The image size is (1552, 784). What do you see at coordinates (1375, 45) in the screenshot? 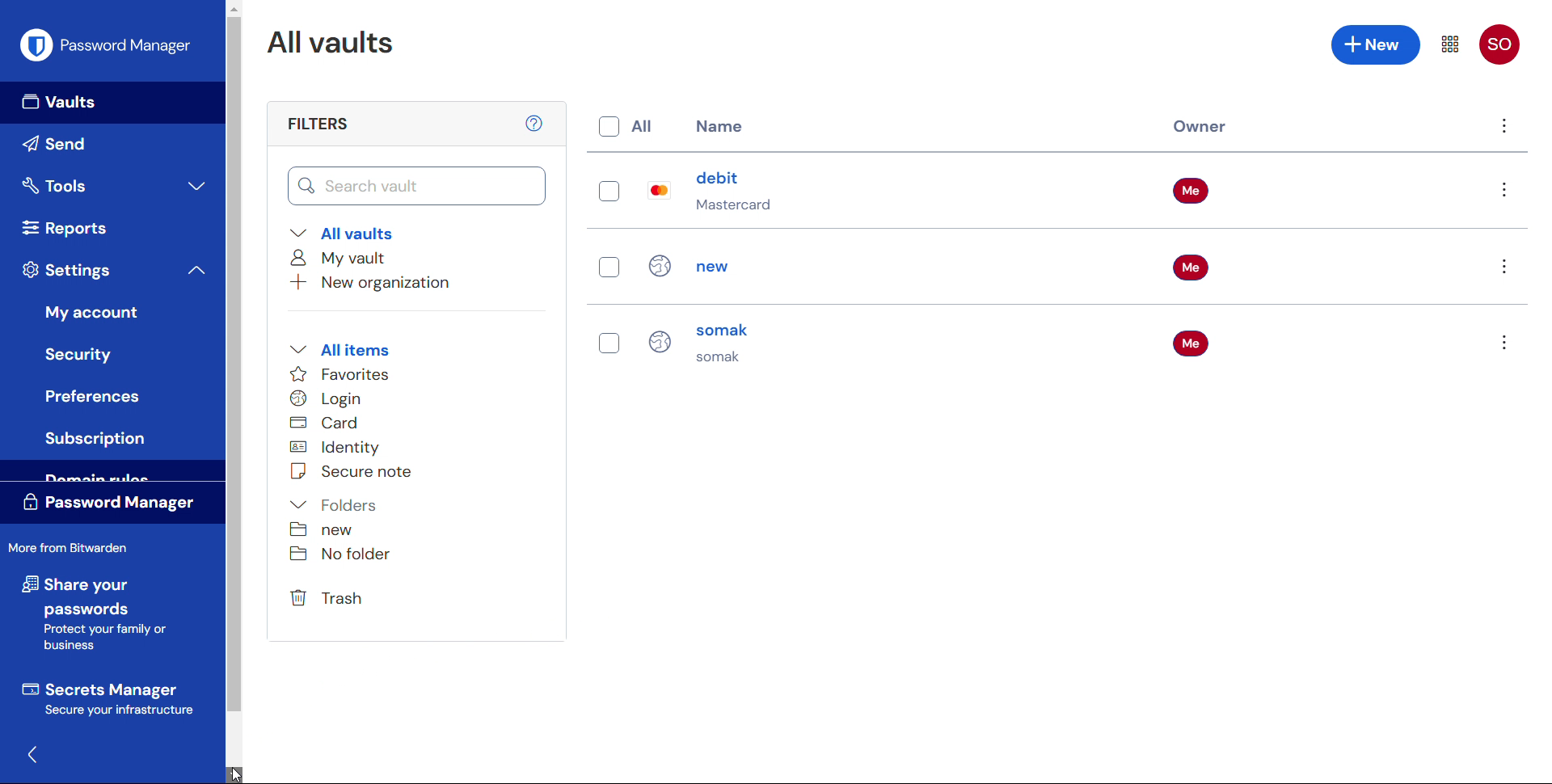
I see `Add new entry  ` at bounding box center [1375, 45].